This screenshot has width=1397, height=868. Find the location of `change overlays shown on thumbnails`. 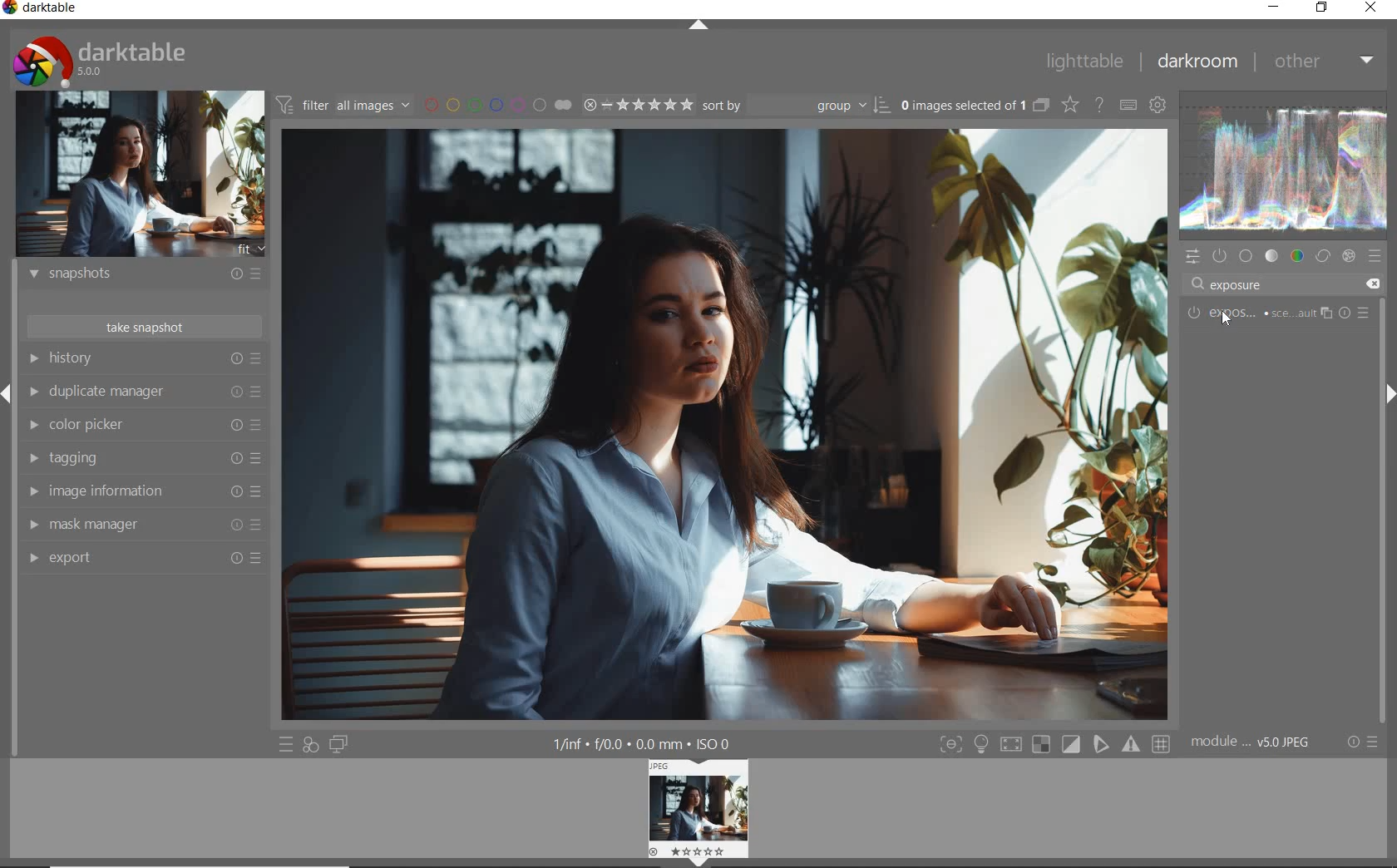

change overlays shown on thumbnails is located at coordinates (1069, 104).